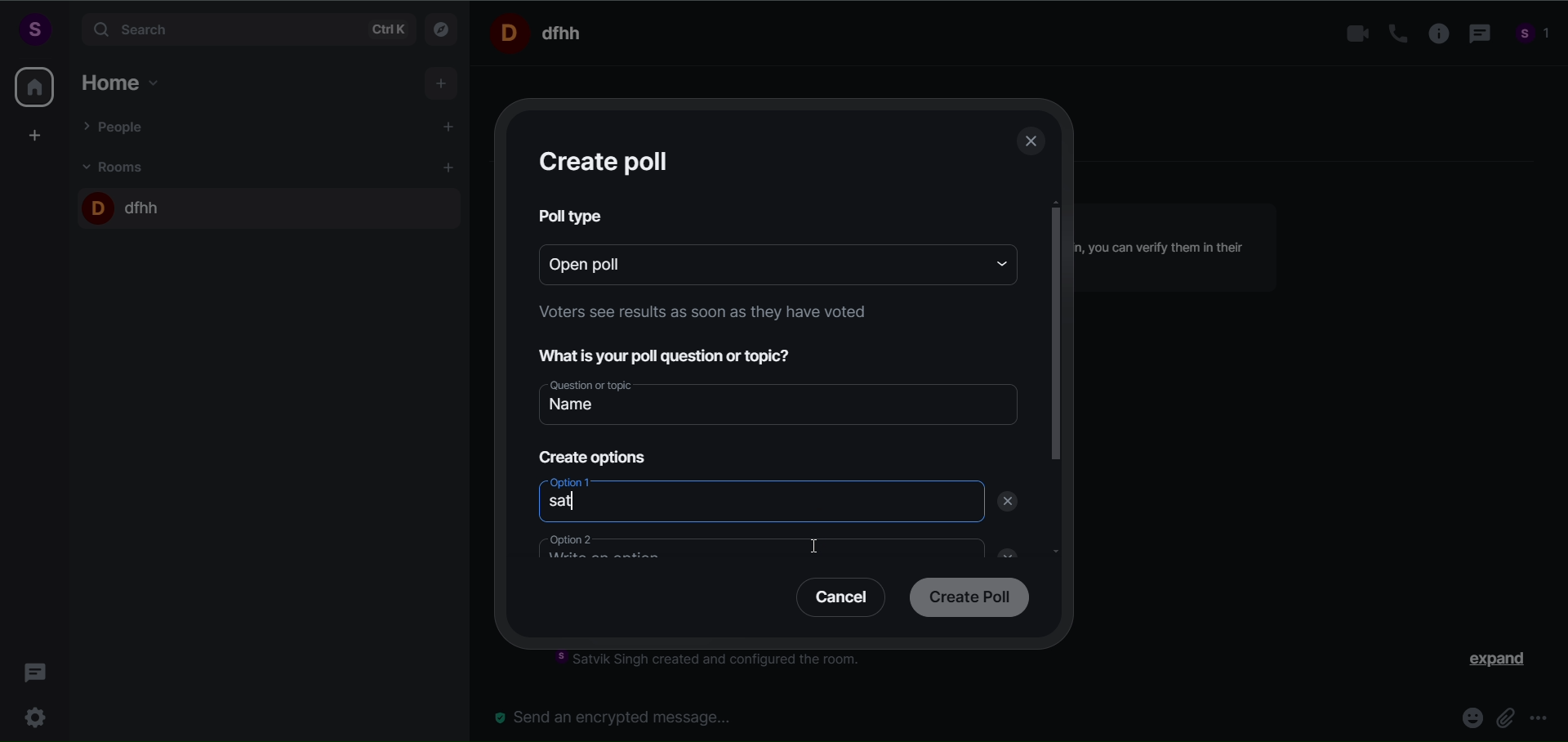 The height and width of the screenshot is (742, 1568). What do you see at coordinates (1539, 720) in the screenshot?
I see `more options` at bounding box center [1539, 720].